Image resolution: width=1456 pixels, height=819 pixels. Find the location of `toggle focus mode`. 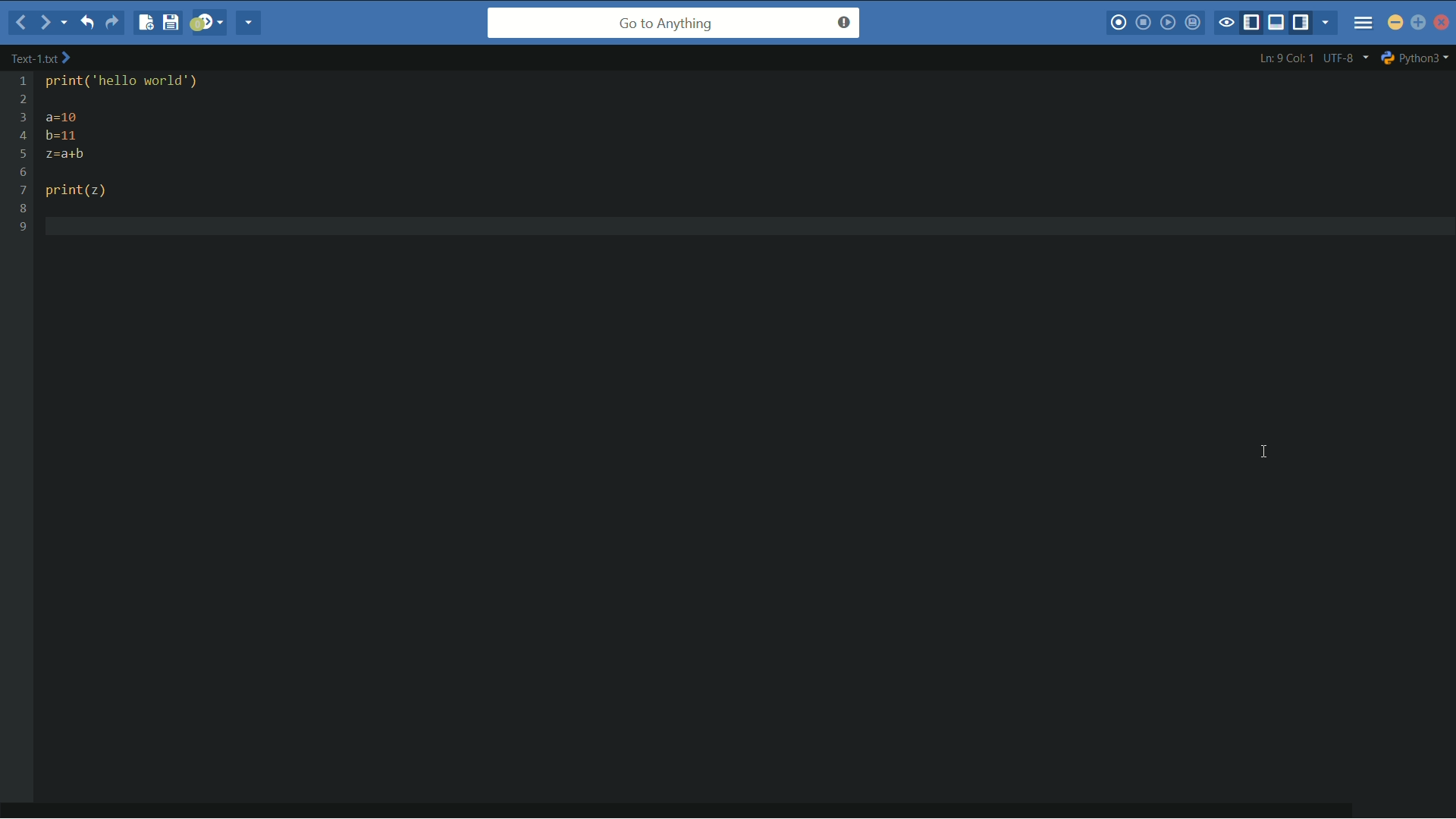

toggle focus mode is located at coordinates (1227, 22).